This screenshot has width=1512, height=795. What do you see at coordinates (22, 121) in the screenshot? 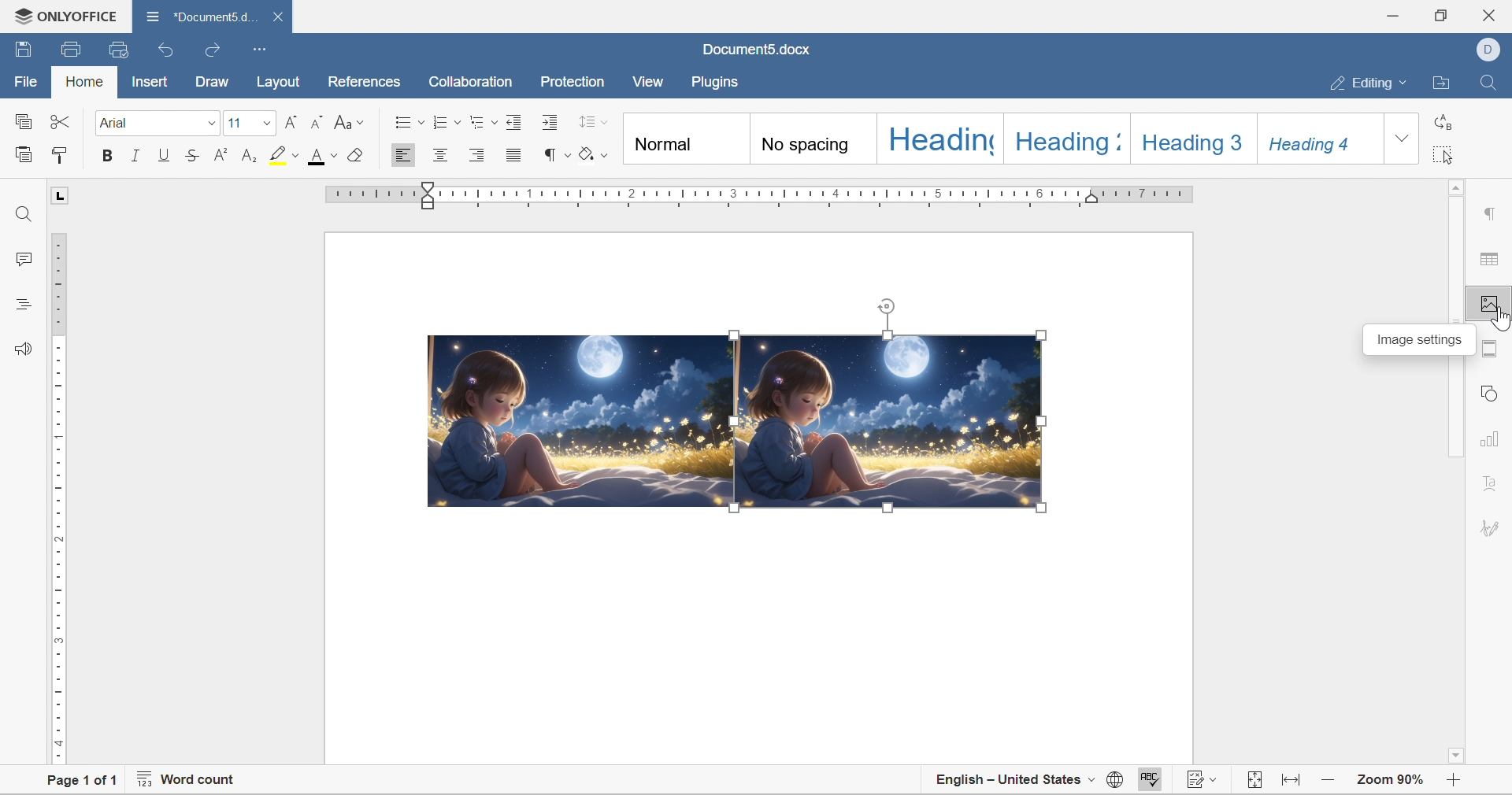
I see `copy` at bounding box center [22, 121].